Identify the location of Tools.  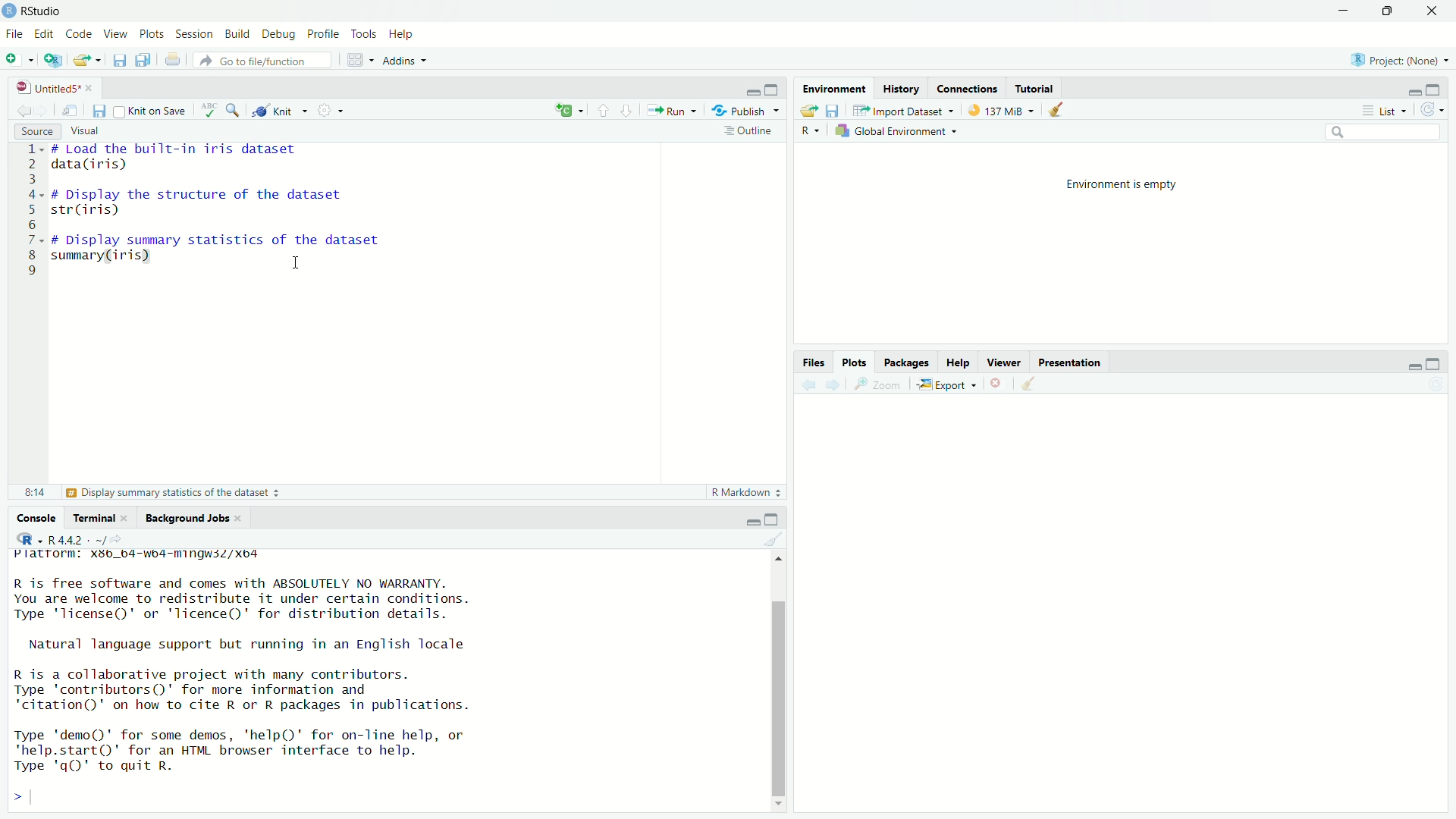
(366, 34).